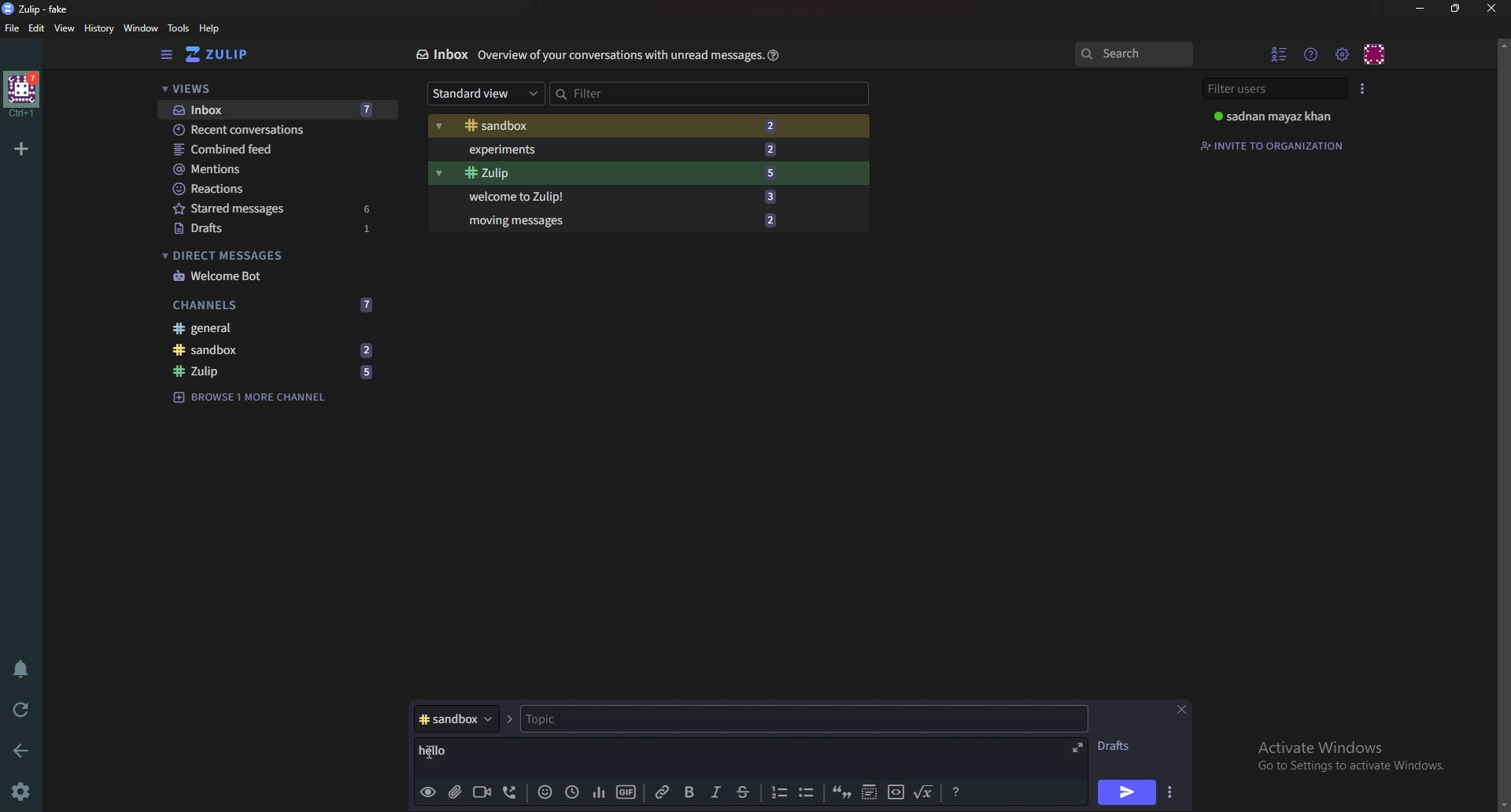 Image resolution: width=1511 pixels, height=812 pixels. I want to click on Link, so click(661, 793).